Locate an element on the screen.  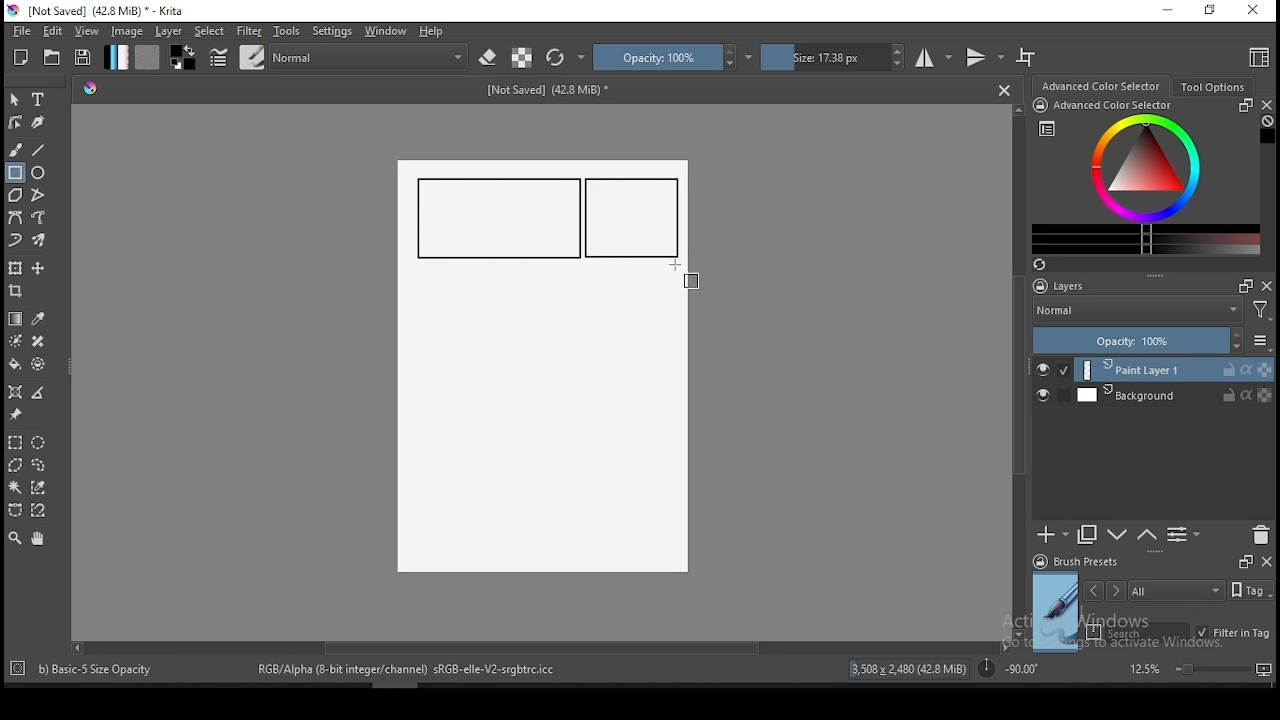
view or change layer properties is located at coordinates (1183, 534).